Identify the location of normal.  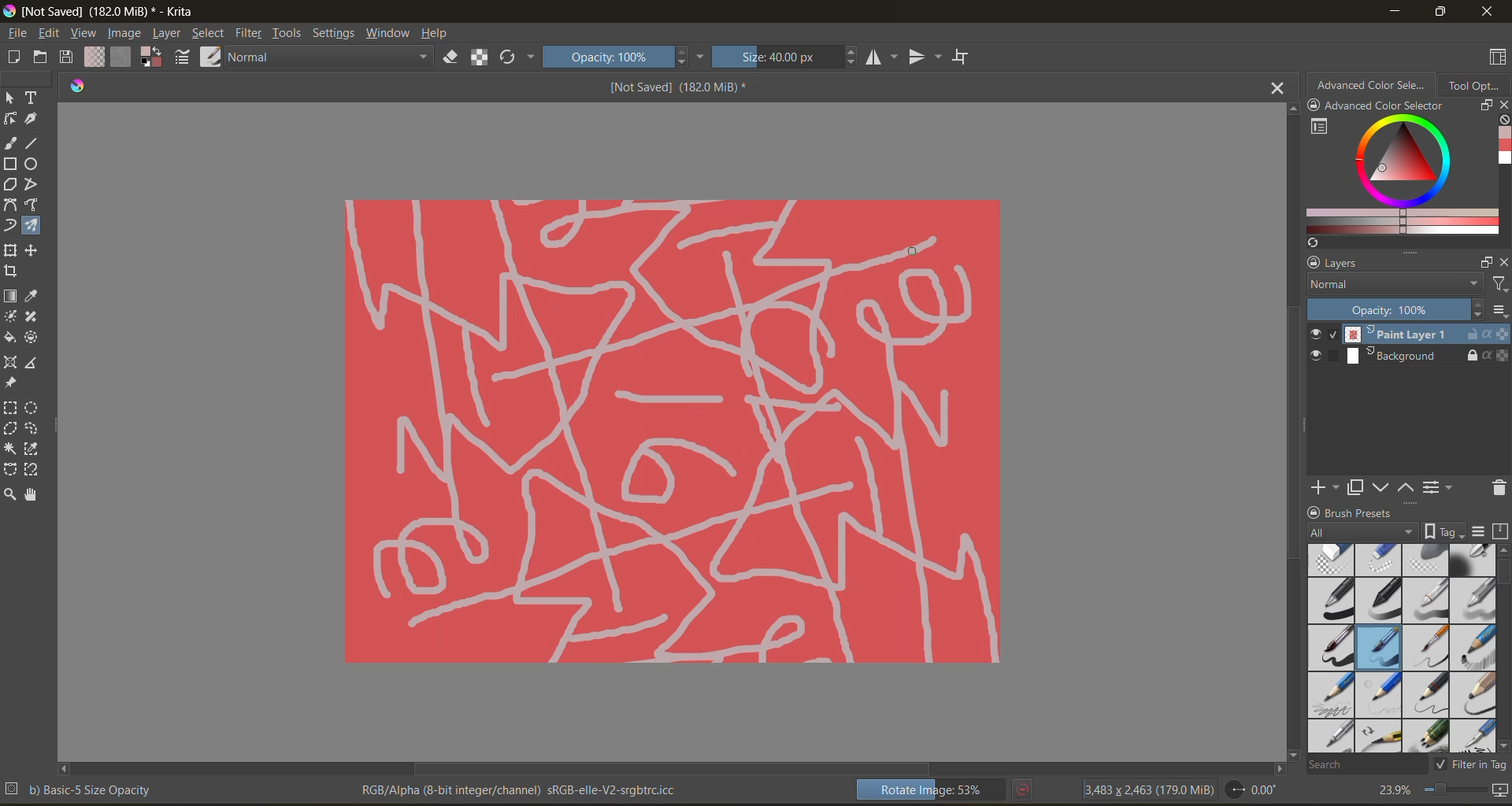
(1393, 283).